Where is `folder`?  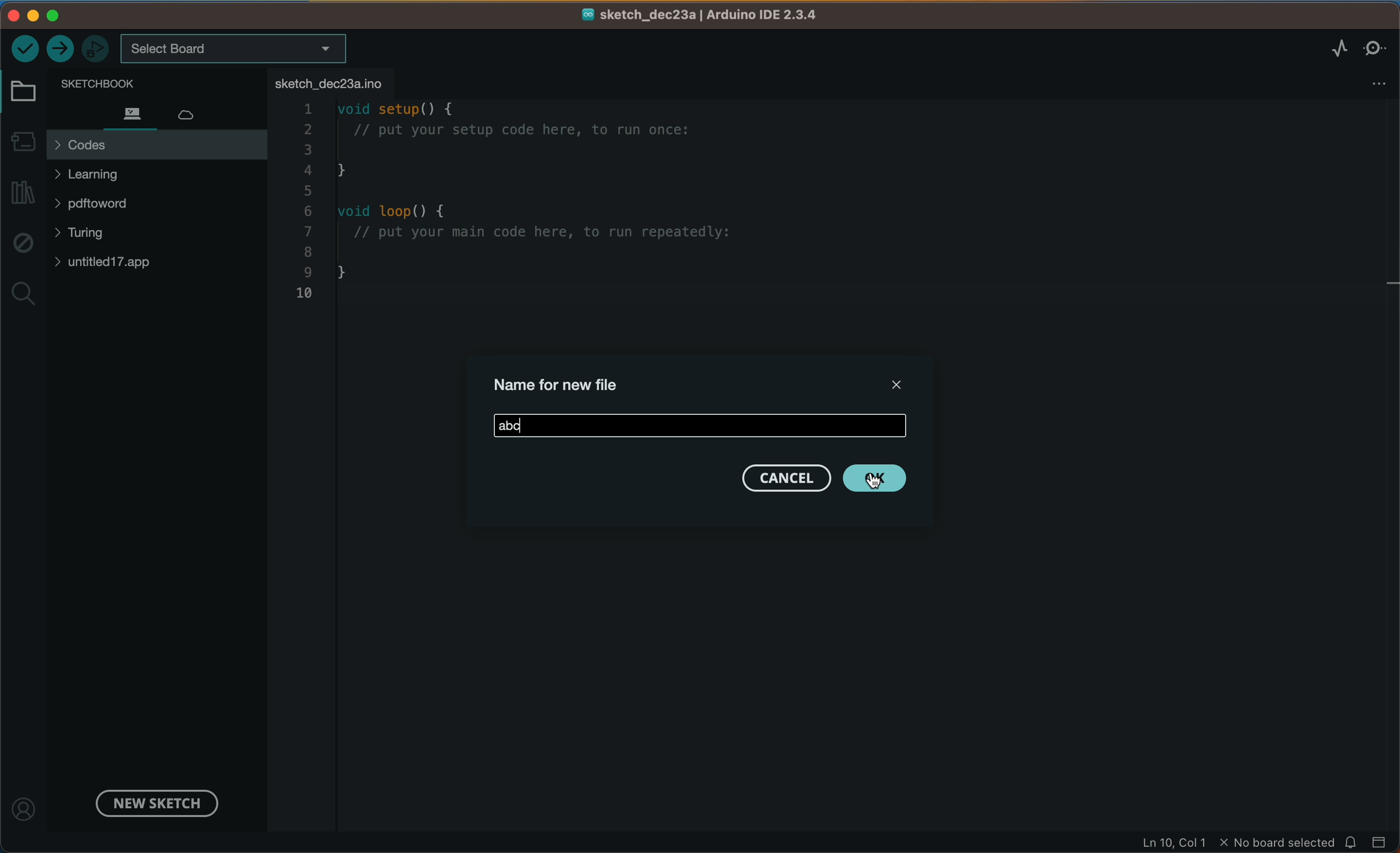
folder is located at coordinates (26, 92).